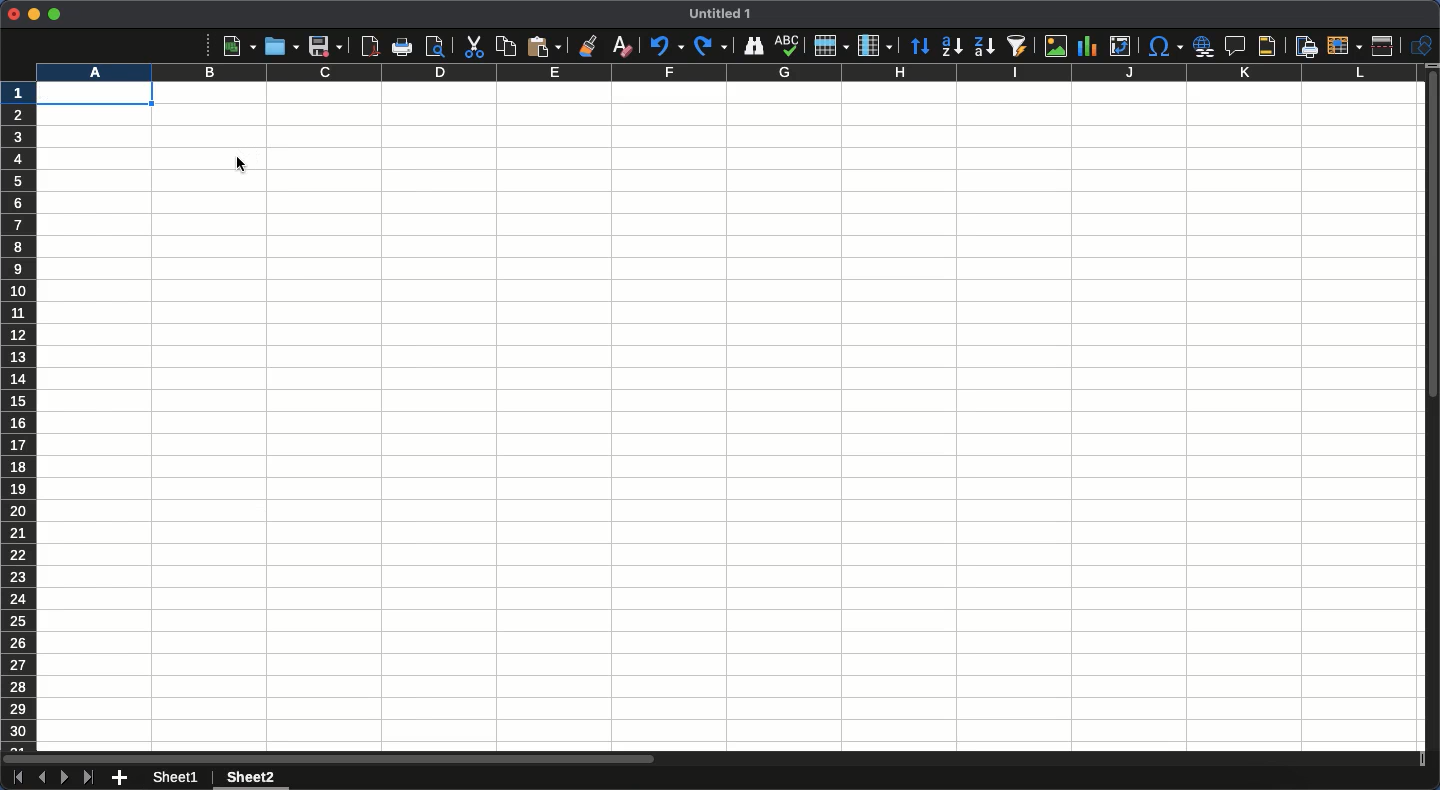 The image size is (1440, 790). Describe the element at coordinates (13, 14) in the screenshot. I see `Close` at that location.